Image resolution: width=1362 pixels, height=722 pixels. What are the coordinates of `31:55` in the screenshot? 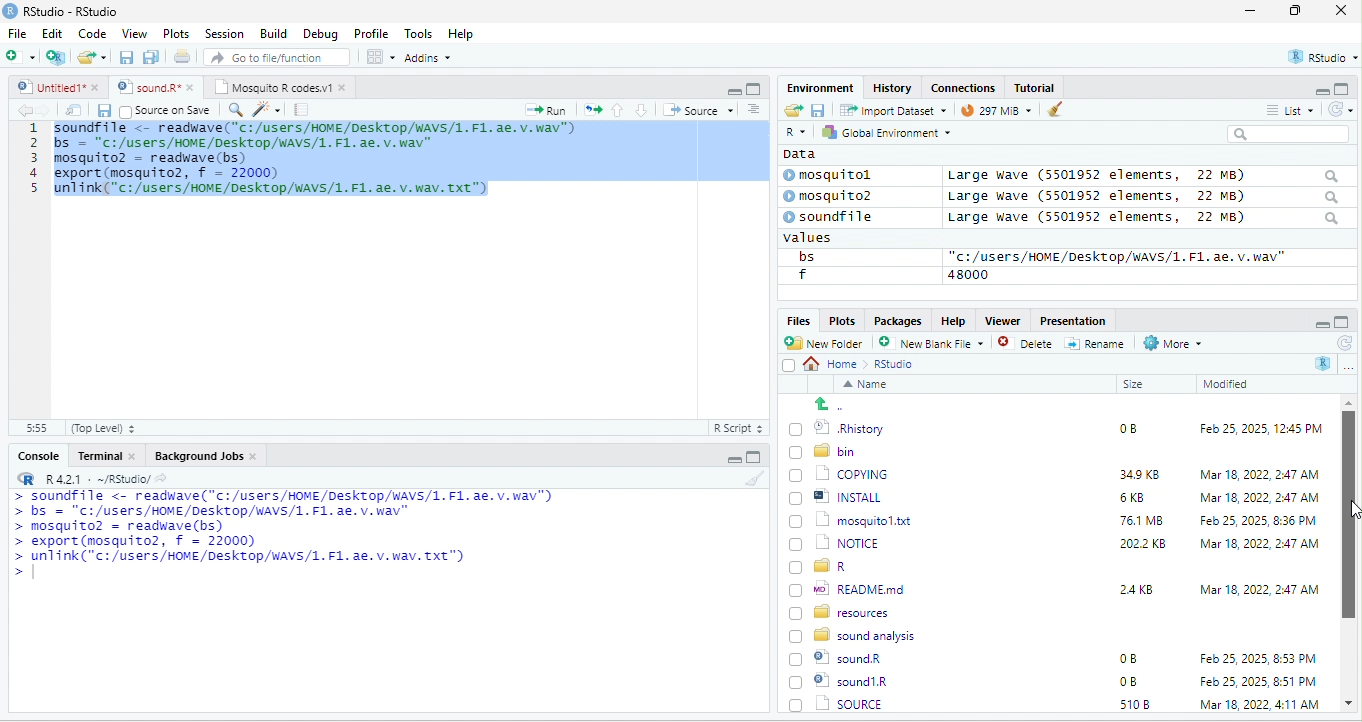 It's located at (34, 428).